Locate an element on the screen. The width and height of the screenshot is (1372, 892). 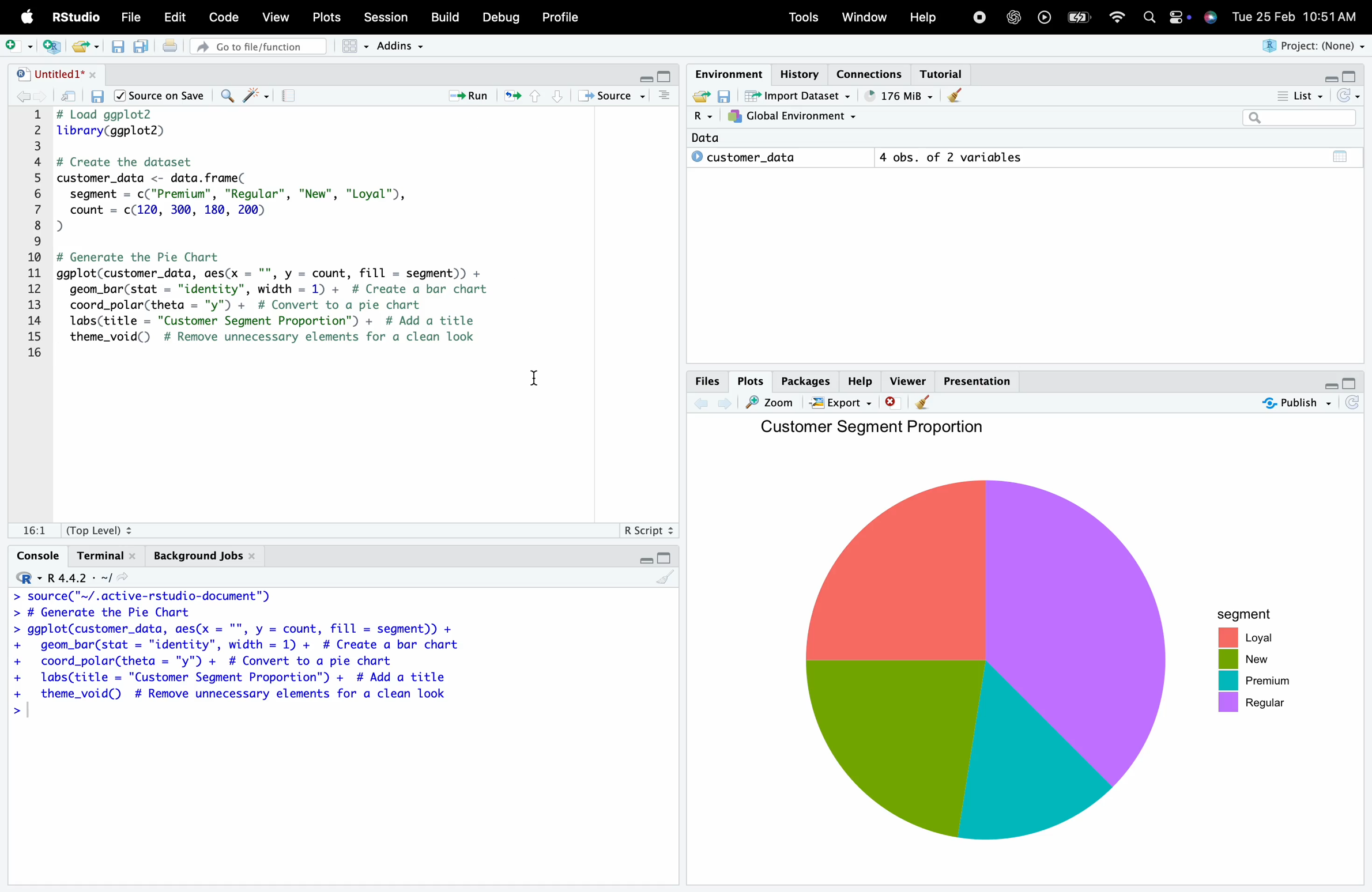
Plots is located at coordinates (747, 380).